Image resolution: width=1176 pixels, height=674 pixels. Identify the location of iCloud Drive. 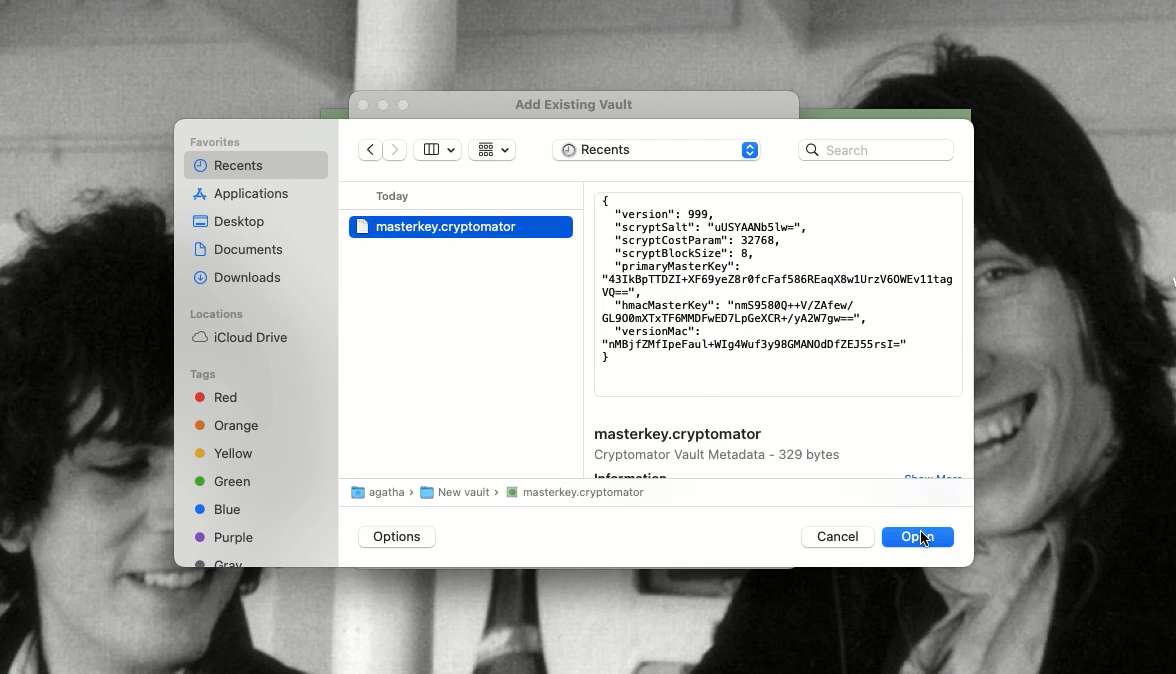
(239, 337).